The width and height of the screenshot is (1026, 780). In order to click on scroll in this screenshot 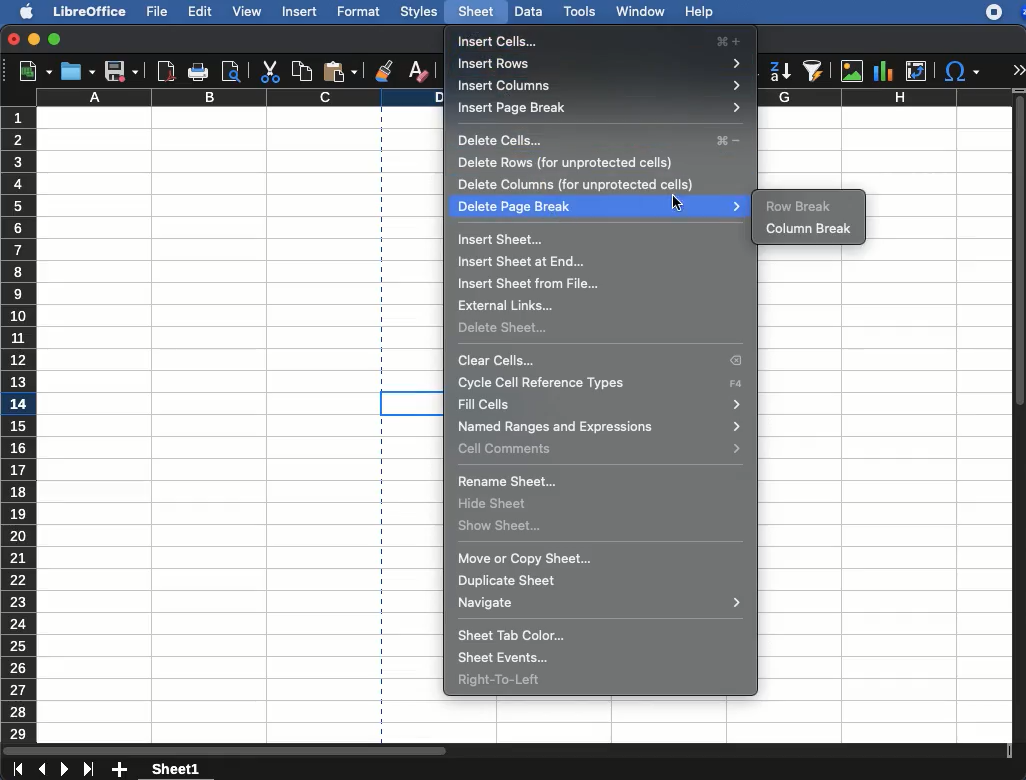, I will do `click(507, 750)`.